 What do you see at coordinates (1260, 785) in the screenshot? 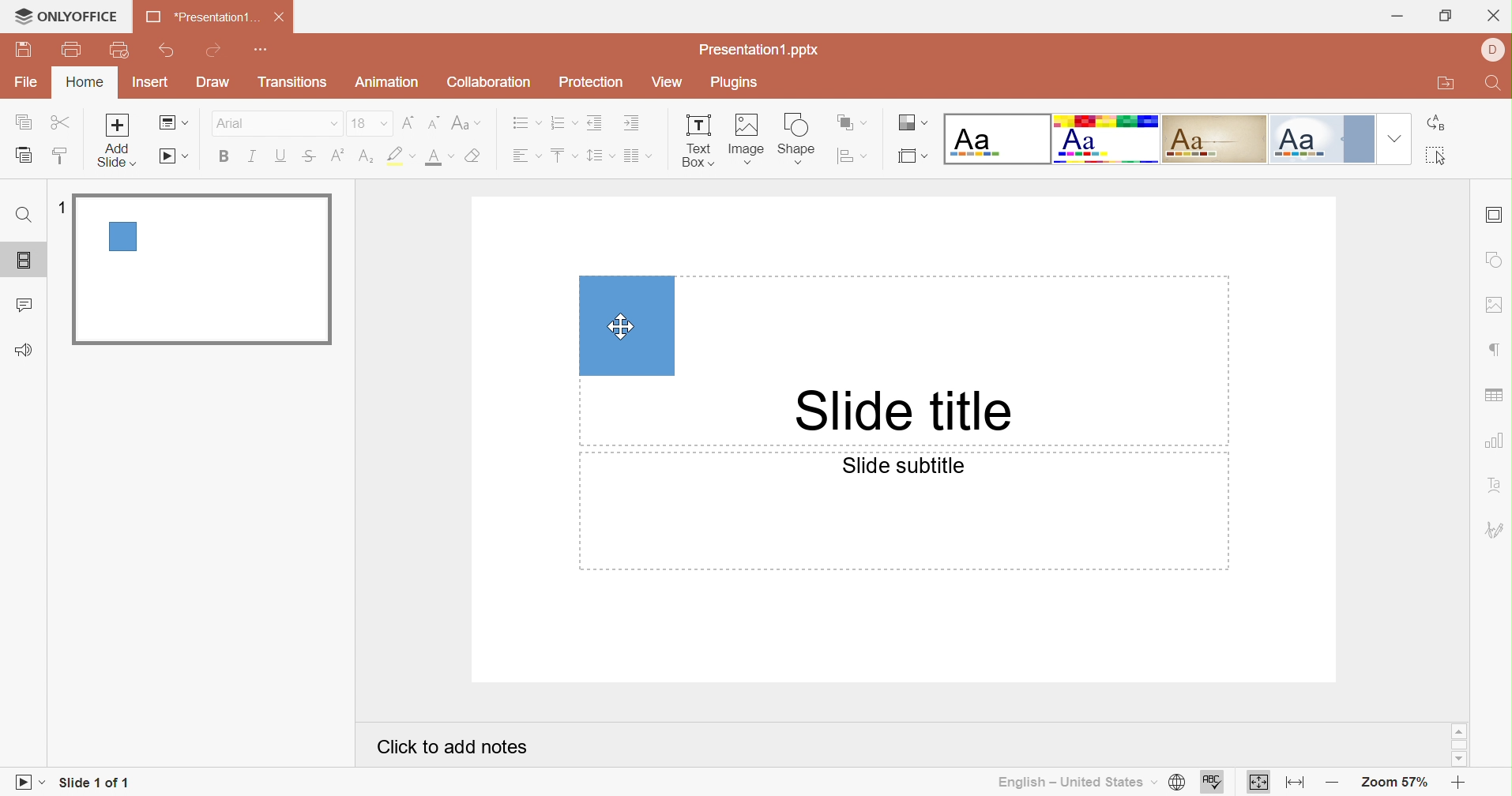
I see `Fit to slide` at bounding box center [1260, 785].